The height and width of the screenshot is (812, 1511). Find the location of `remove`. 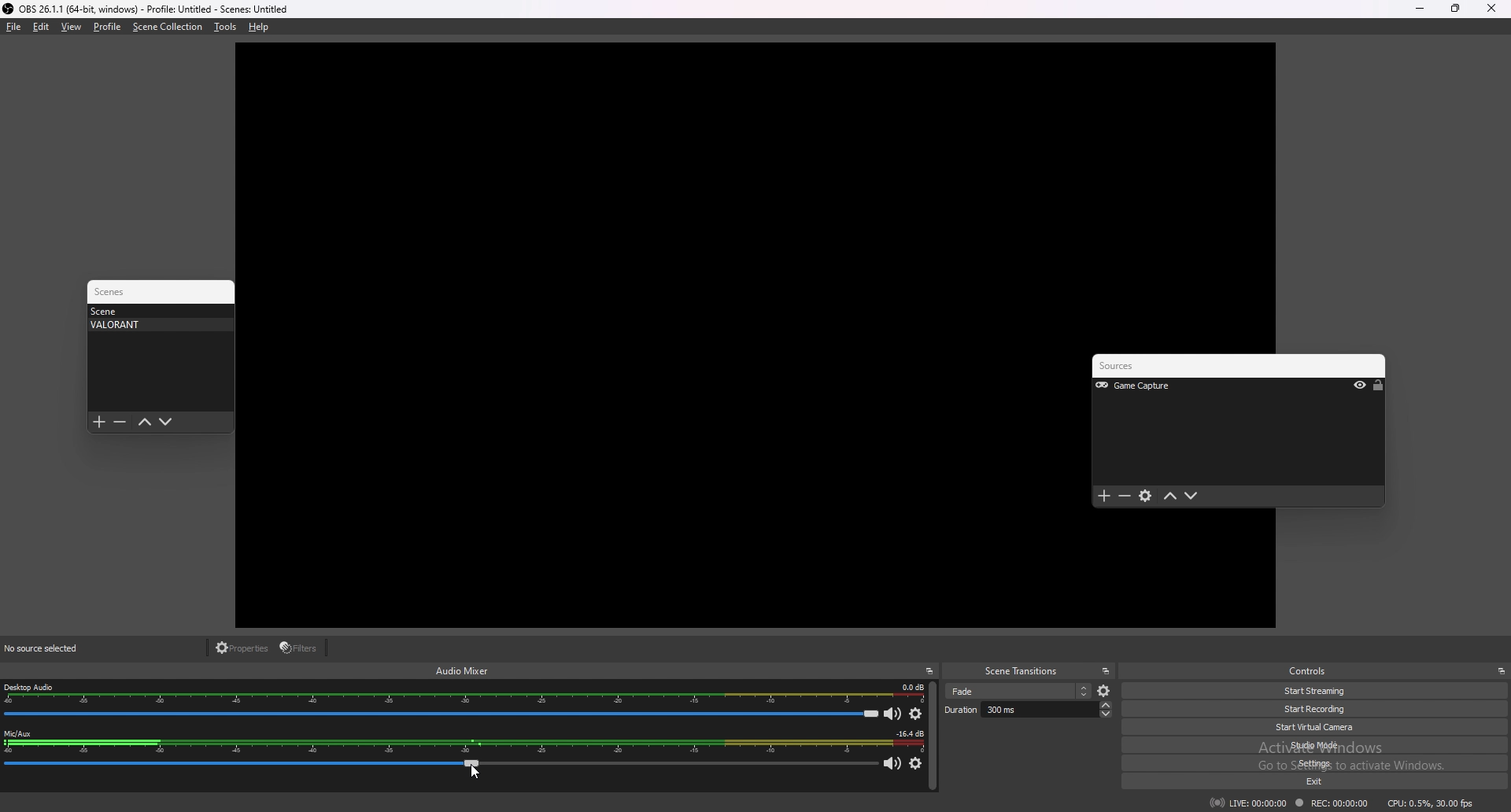

remove is located at coordinates (120, 423).